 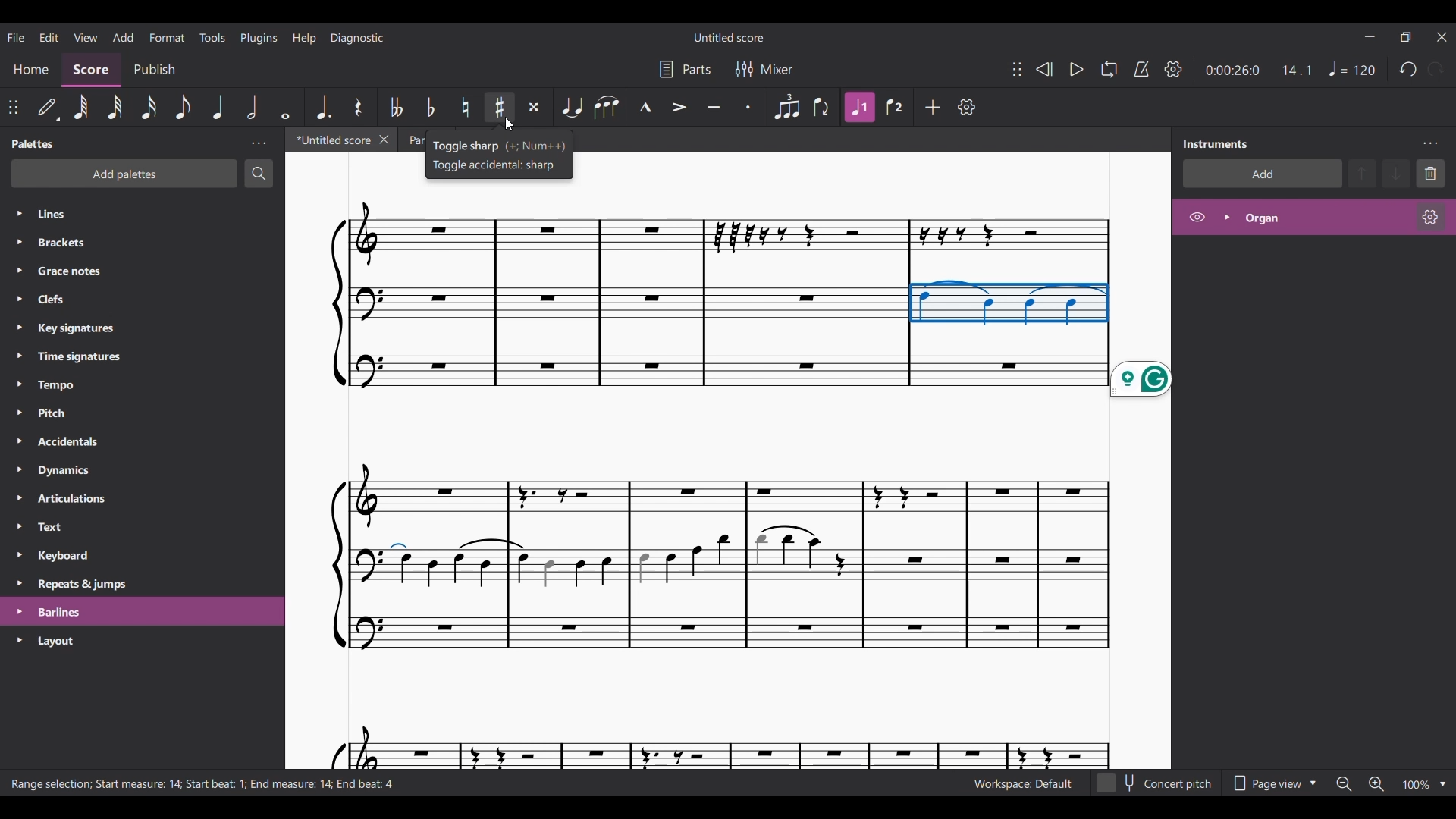 What do you see at coordinates (1216, 143) in the screenshot?
I see `Panel title` at bounding box center [1216, 143].